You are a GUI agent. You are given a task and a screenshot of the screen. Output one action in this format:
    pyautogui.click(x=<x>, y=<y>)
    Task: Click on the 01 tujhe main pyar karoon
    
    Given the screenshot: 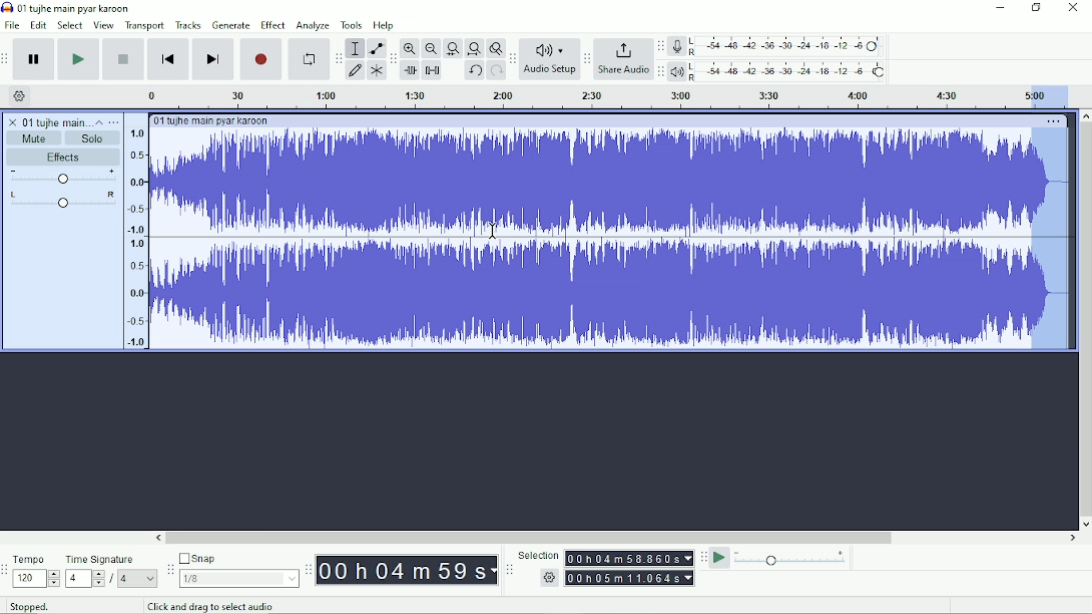 What is the action you would take?
    pyautogui.click(x=76, y=8)
    